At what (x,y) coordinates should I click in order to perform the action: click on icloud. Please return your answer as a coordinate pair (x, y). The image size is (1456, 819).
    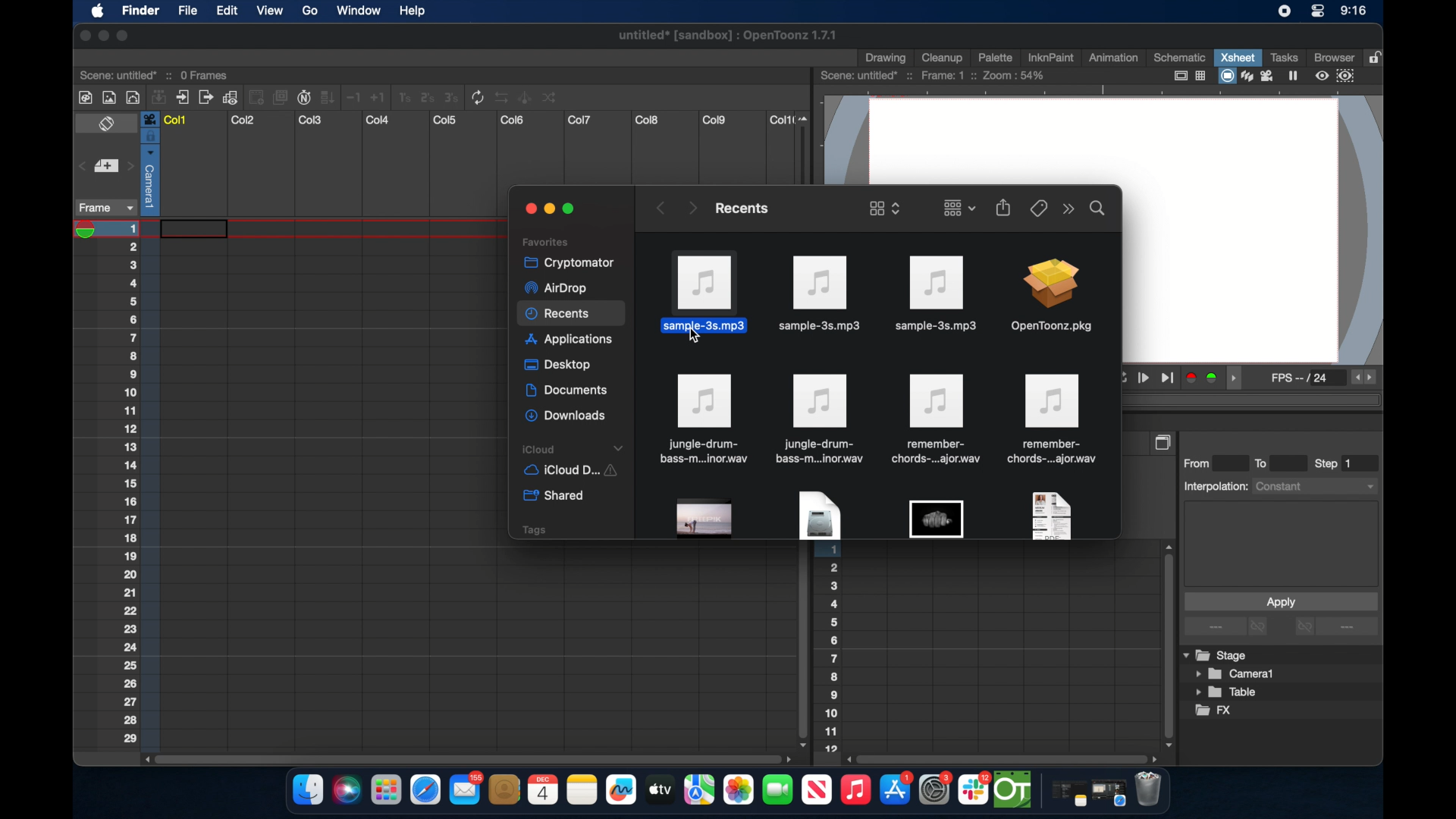
    Looking at the image, I should click on (575, 449).